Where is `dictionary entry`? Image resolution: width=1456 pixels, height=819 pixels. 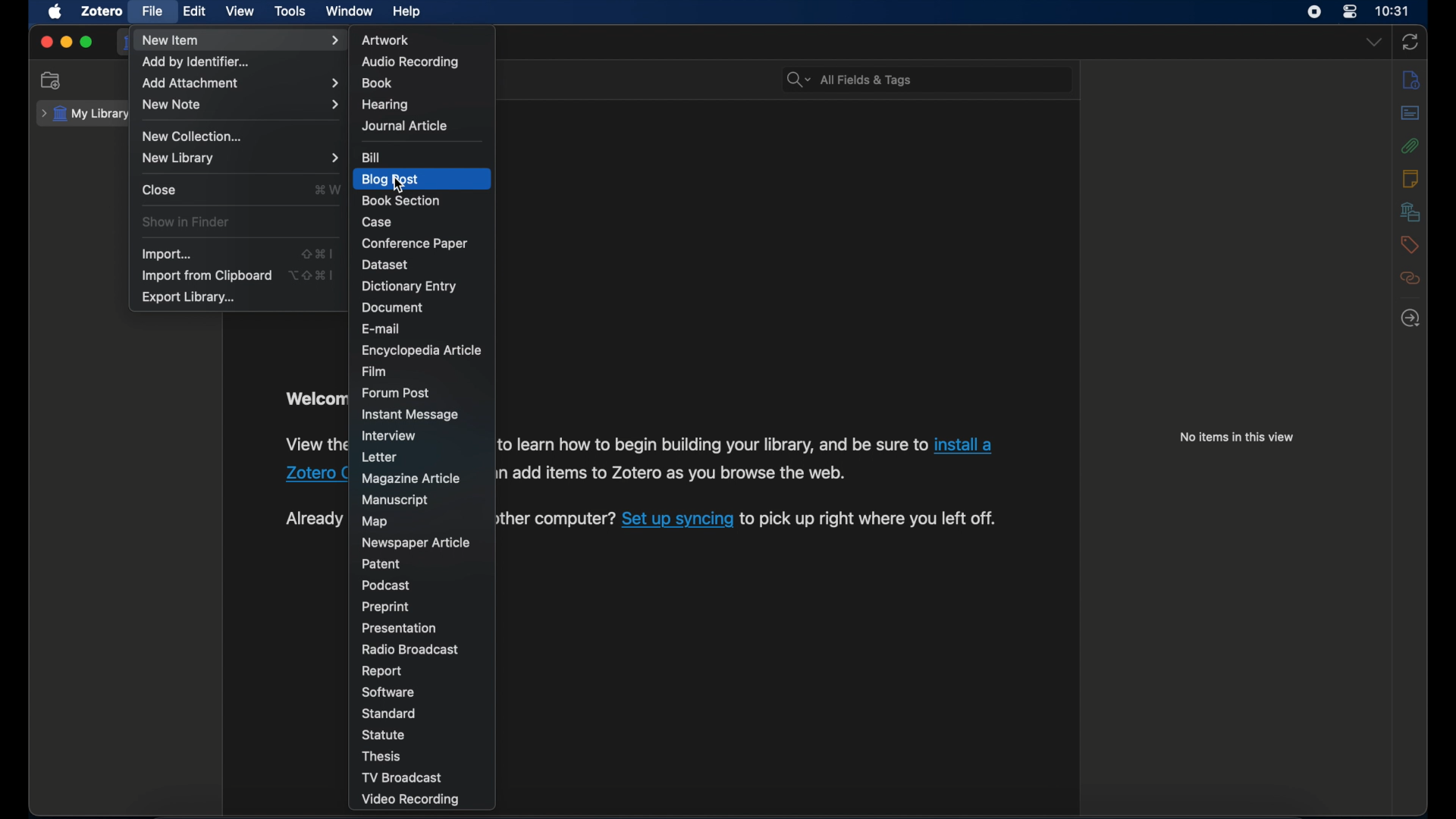 dictionary entry is located at coordinates (409, 287).